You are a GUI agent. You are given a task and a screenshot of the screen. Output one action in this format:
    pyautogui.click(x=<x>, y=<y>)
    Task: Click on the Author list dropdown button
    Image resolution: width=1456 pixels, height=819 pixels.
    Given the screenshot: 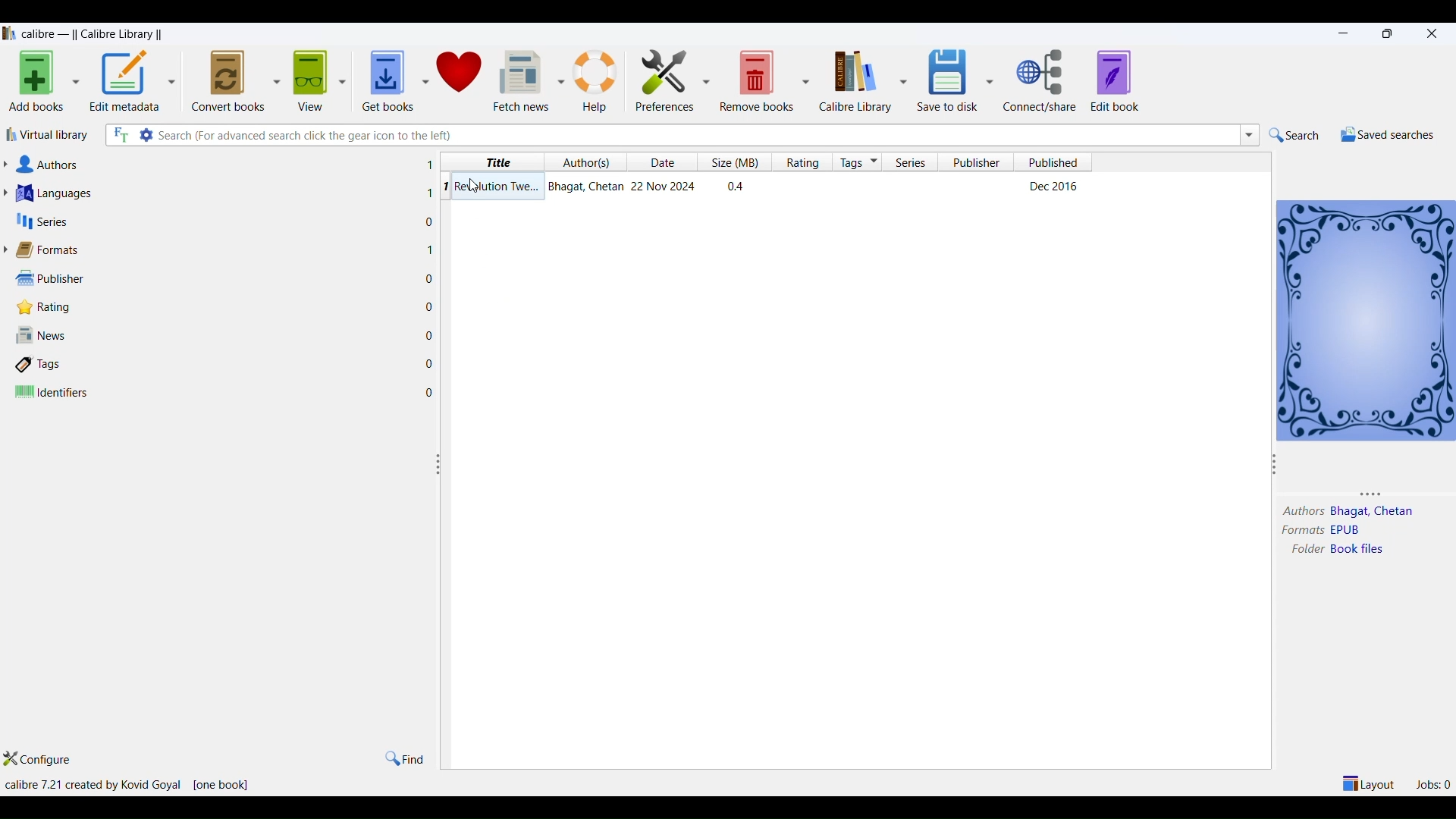 What is the action you would take?
    pyautogui.click(x=10, y=165)
    